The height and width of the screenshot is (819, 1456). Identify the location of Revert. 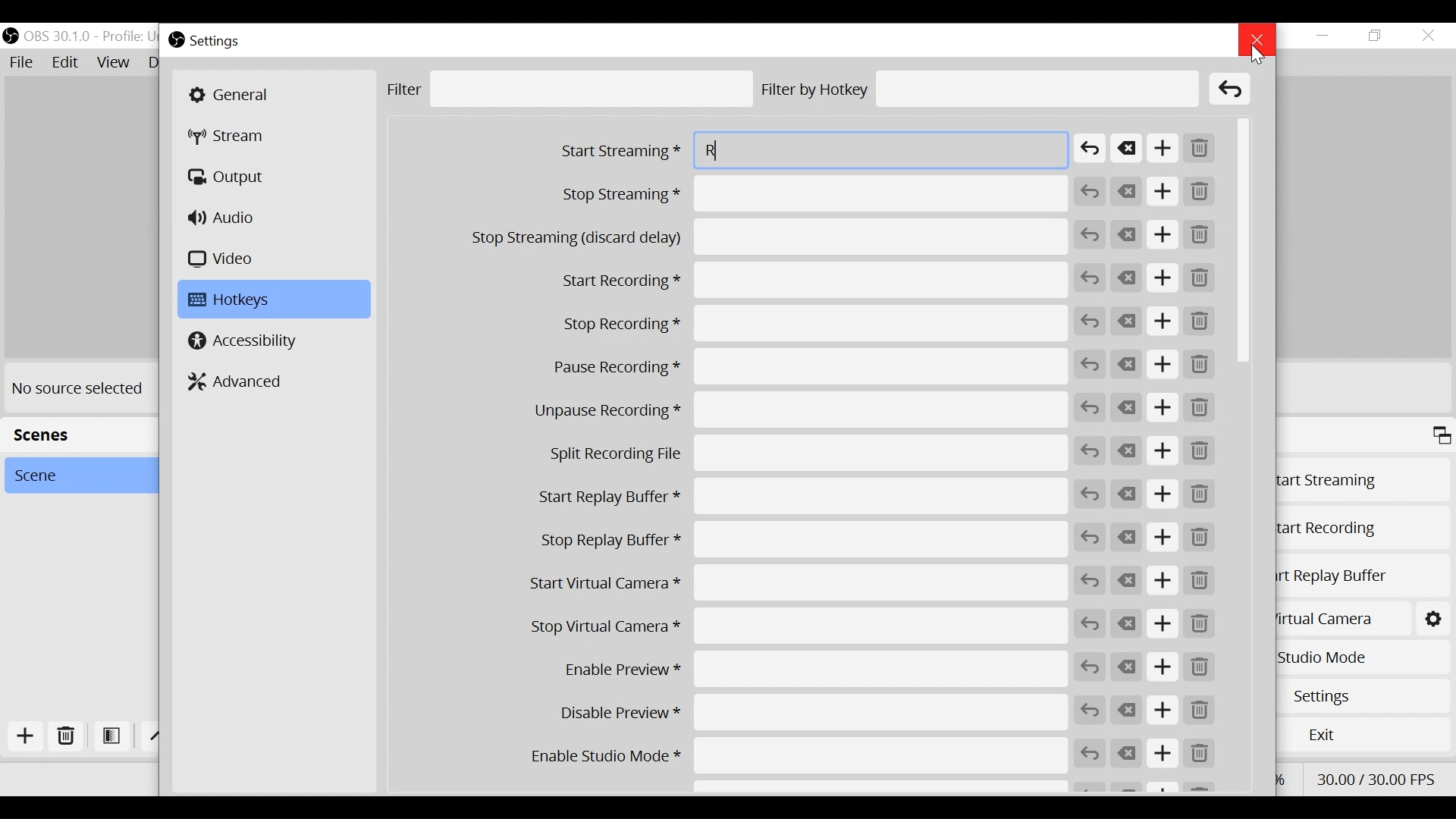
(1090, 320).